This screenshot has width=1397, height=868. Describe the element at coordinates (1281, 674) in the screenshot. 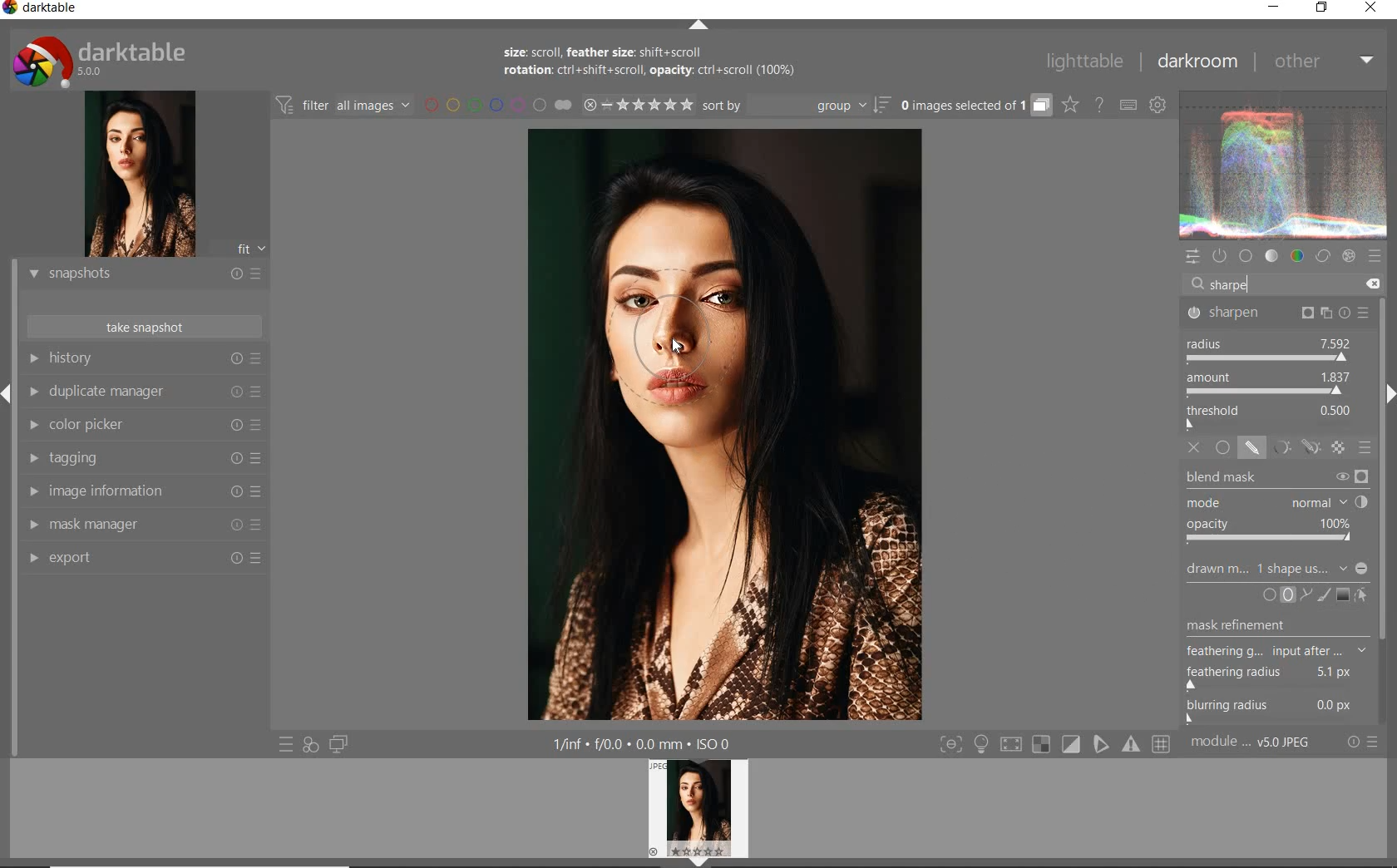

I see `FEATHERING RADIUS` at that location.